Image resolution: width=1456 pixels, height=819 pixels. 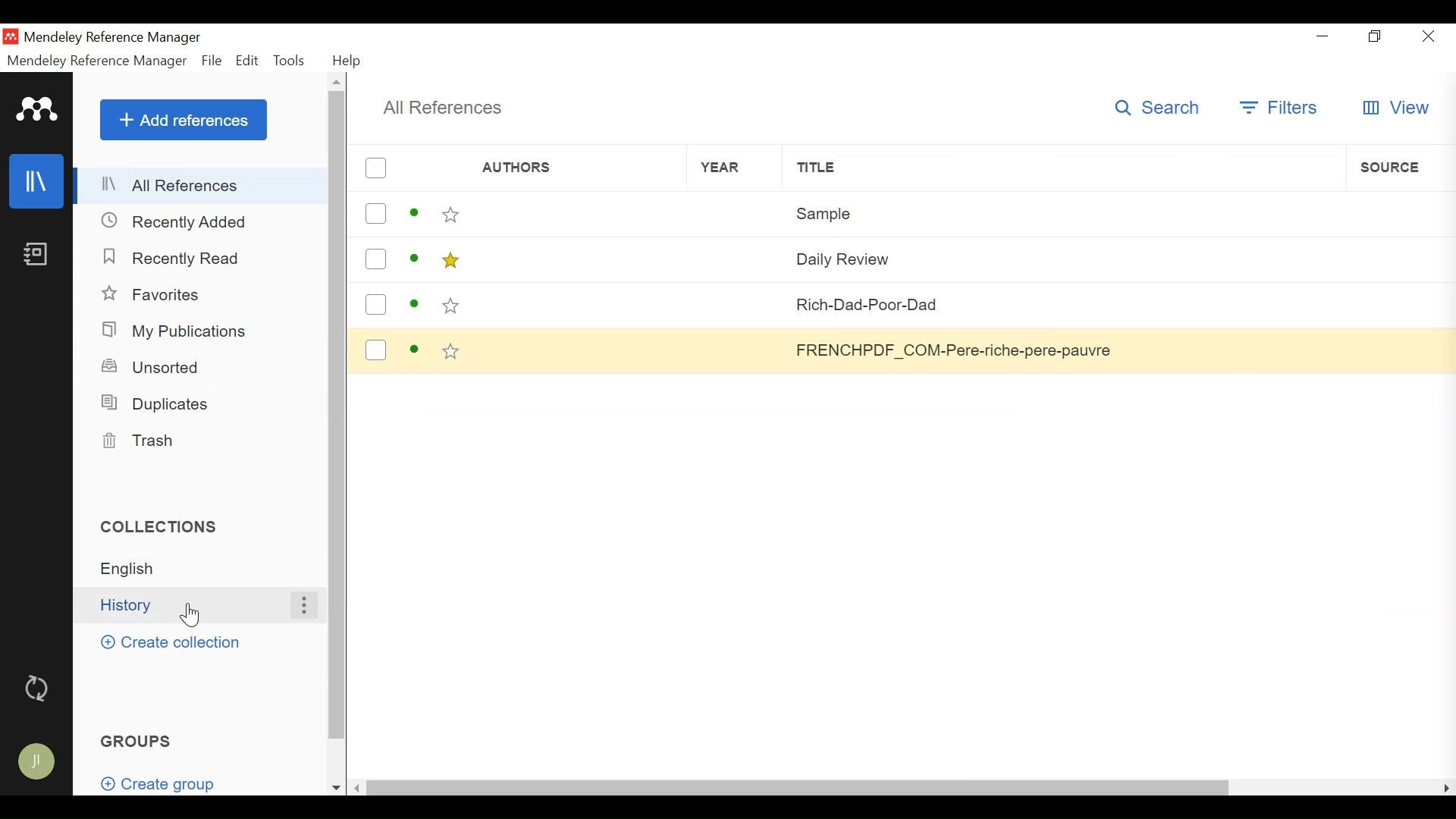 What do you see at coordinates (1396, 257) in the screenshot?
I see `Source` at bounding box center [1396, 257].